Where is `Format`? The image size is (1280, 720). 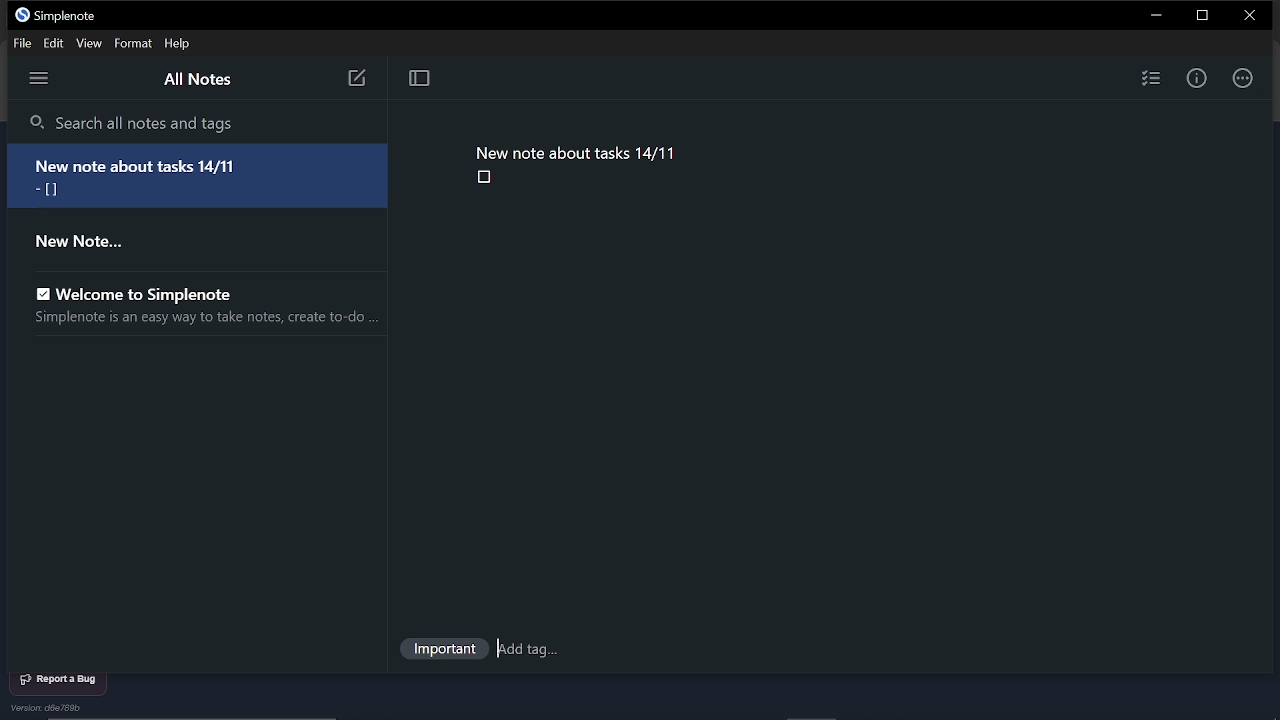 Format is located at coordinates (132, 44).